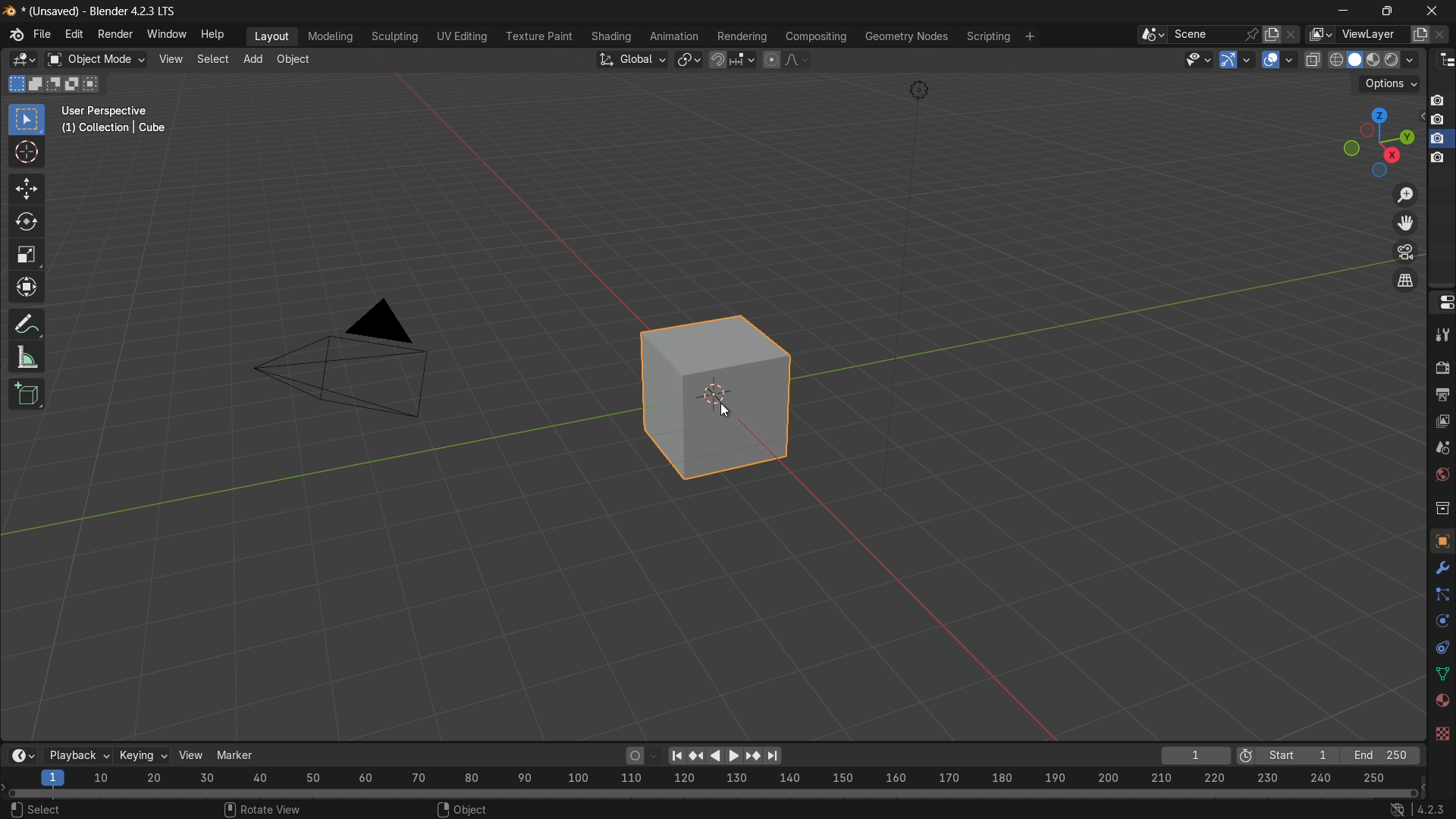 The height and width of the screenshot is (819, 1456). I want to click on marker, so click(243, 751).